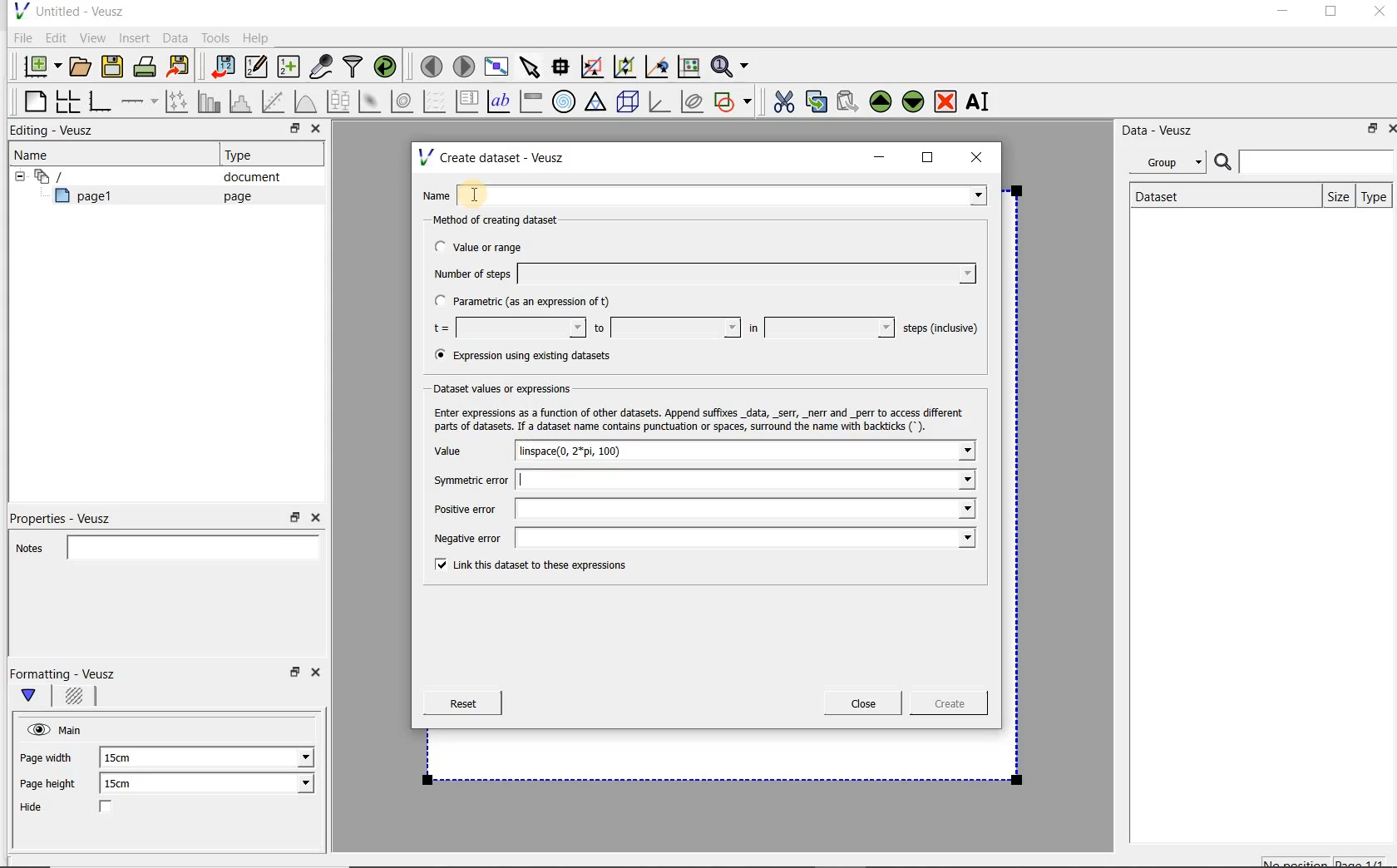 Image resolution: width=1397 pixels, height=868 pixels. Describe the element at coordinates (36, 729) in the screenshot. I see `visible (click to hide, set Hide to true)` at that location.